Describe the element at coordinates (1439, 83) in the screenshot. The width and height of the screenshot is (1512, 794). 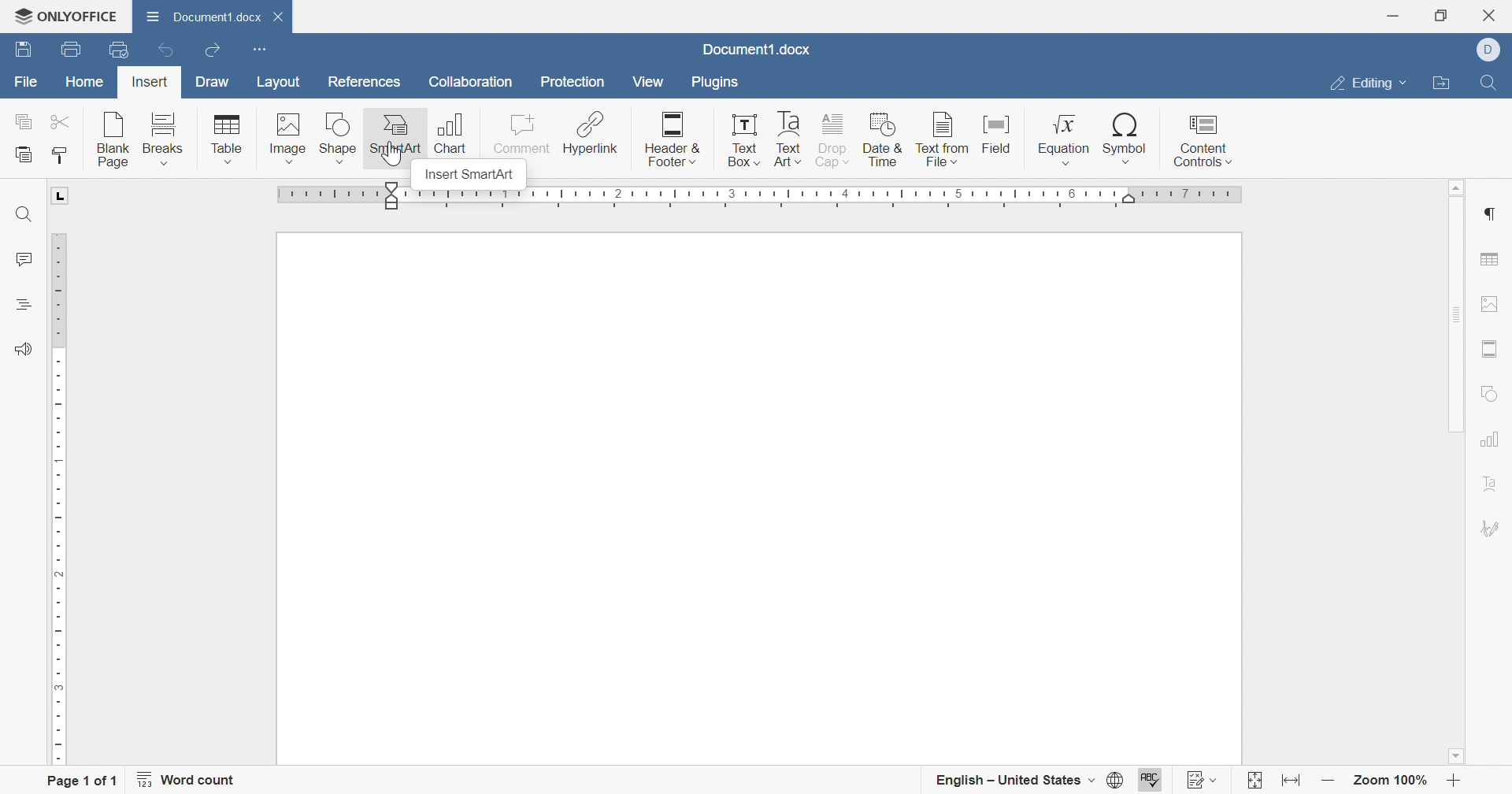
I see `Open file location` at that location.